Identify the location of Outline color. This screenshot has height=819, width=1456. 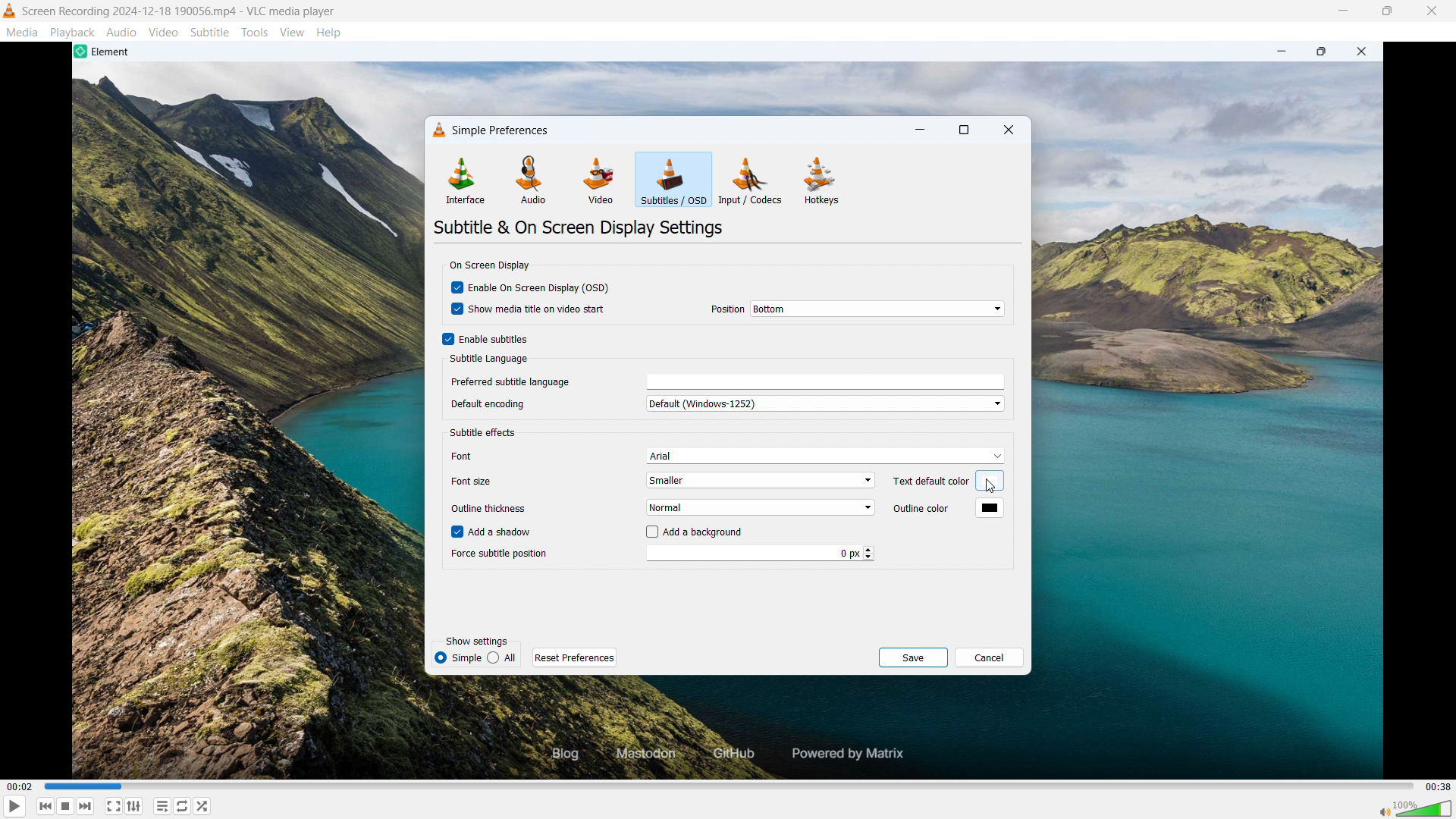
(929, 508).